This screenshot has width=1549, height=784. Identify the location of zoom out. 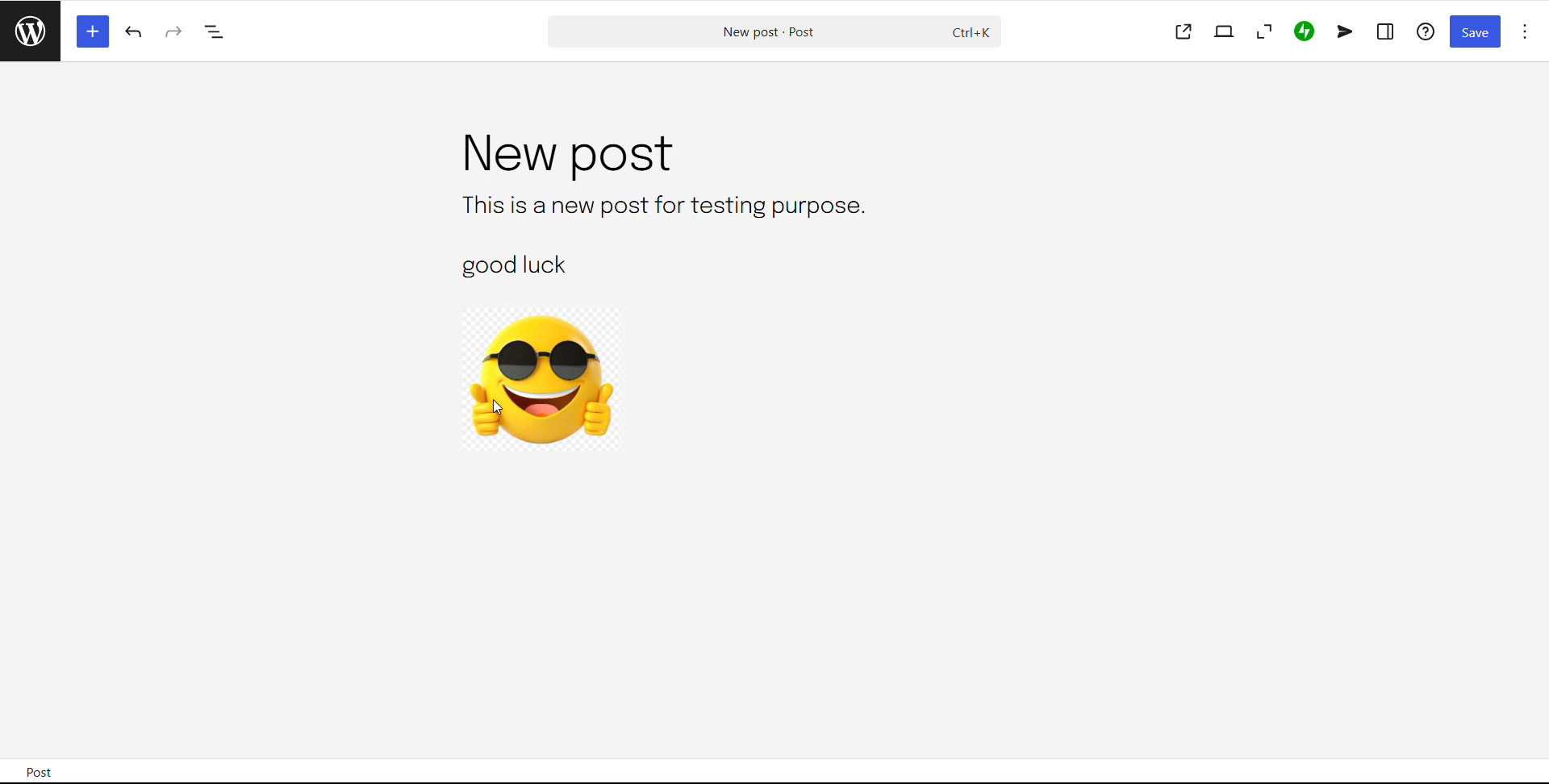
(1263, 31).